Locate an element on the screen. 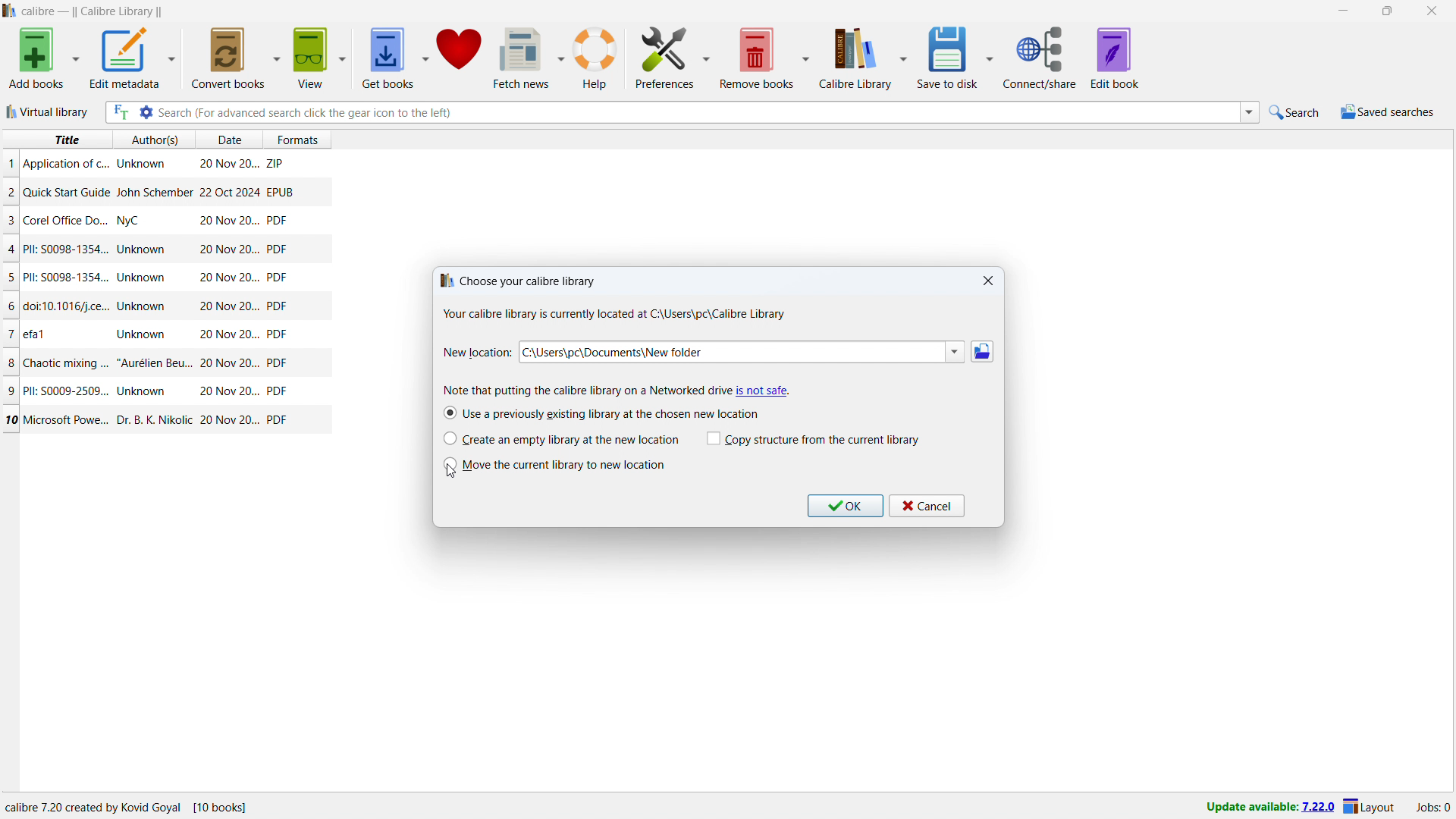 The height and width of the screenshot is (819, 1456). virtual library is located at coordinates (49, 111).